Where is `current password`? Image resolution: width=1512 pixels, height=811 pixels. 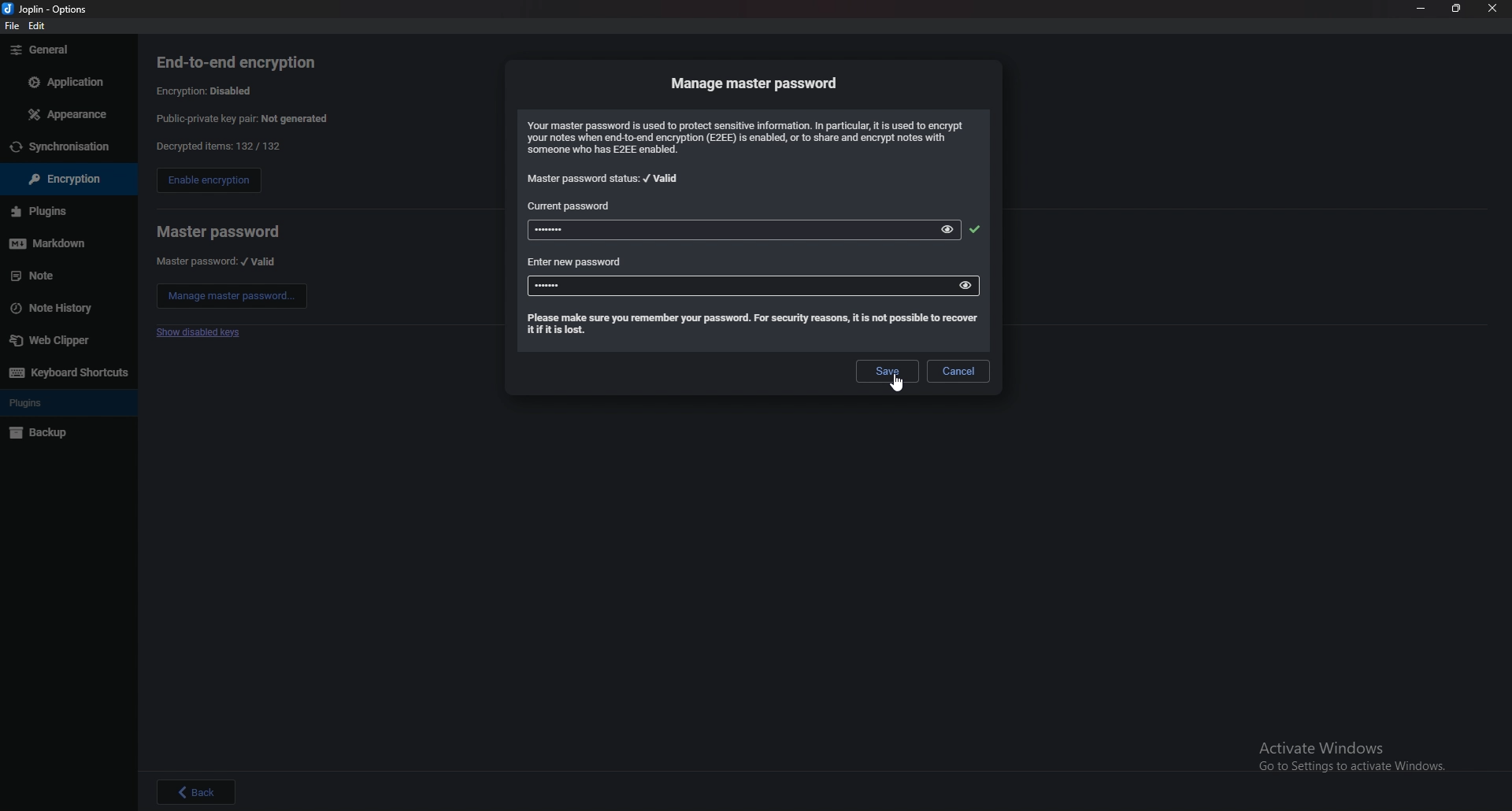 current password is located at coordinates (573, 206).